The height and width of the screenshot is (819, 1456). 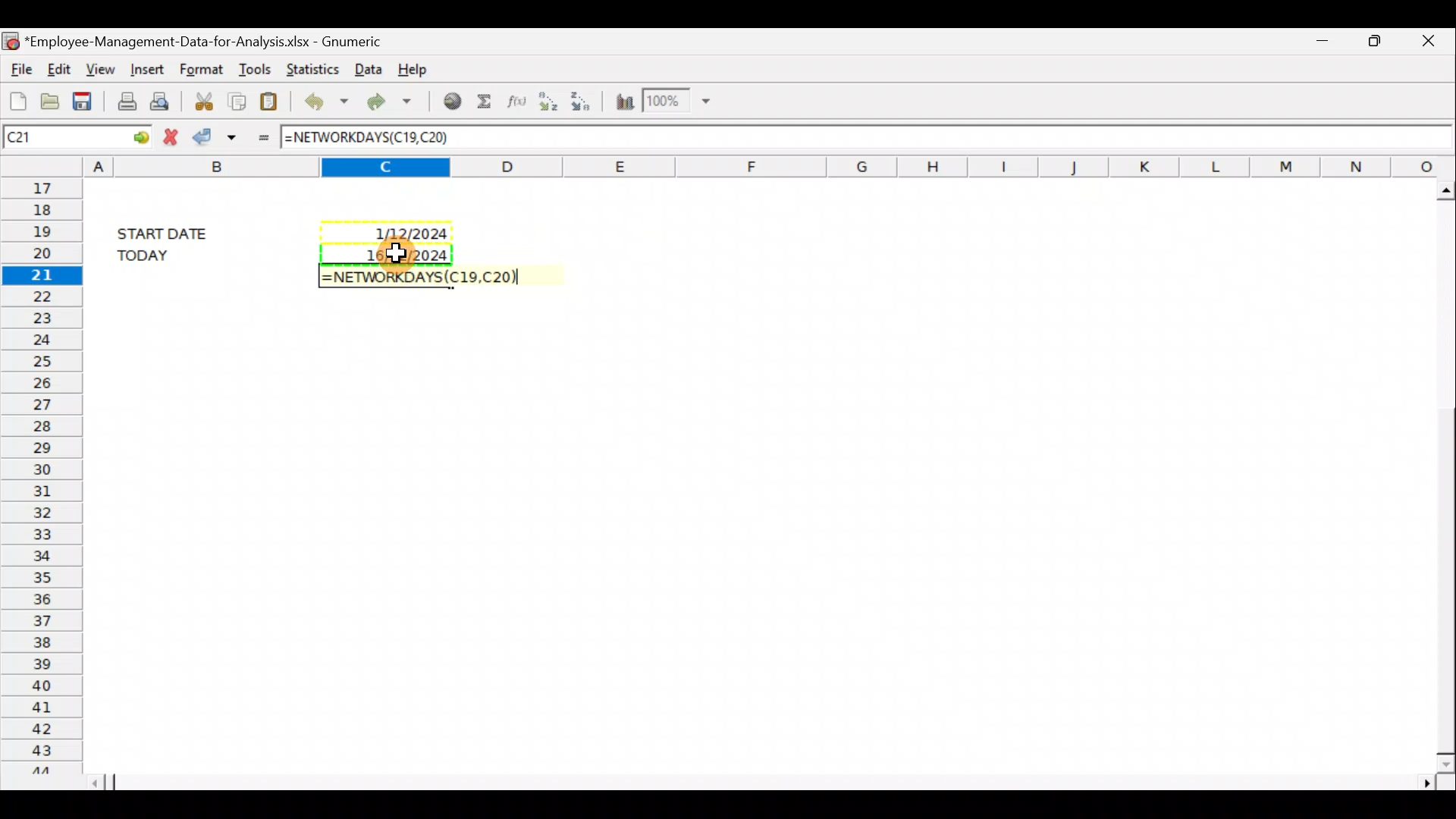 I want to click on Copy the selection, so click(x=239, y=99).